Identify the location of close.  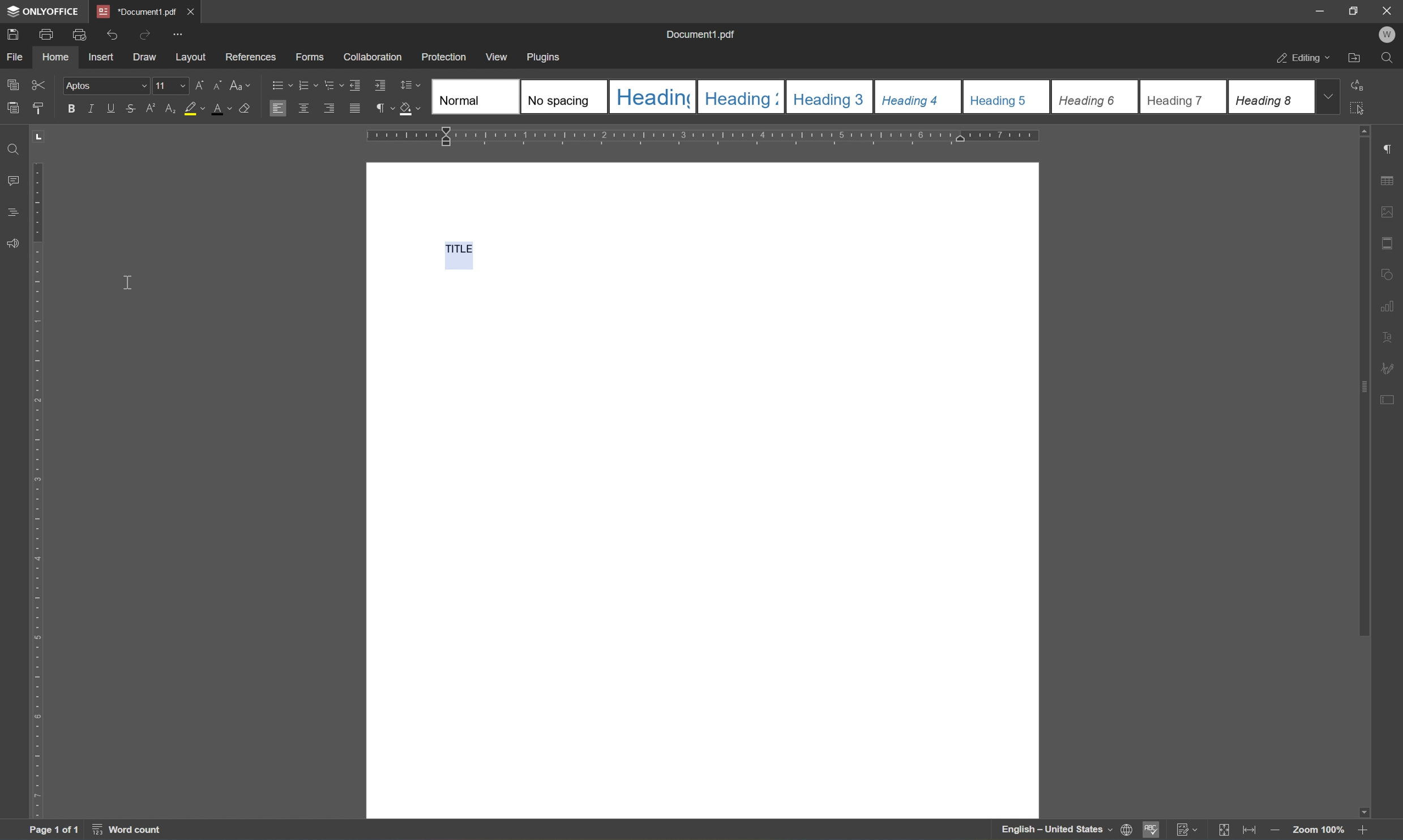
(1389, 10).